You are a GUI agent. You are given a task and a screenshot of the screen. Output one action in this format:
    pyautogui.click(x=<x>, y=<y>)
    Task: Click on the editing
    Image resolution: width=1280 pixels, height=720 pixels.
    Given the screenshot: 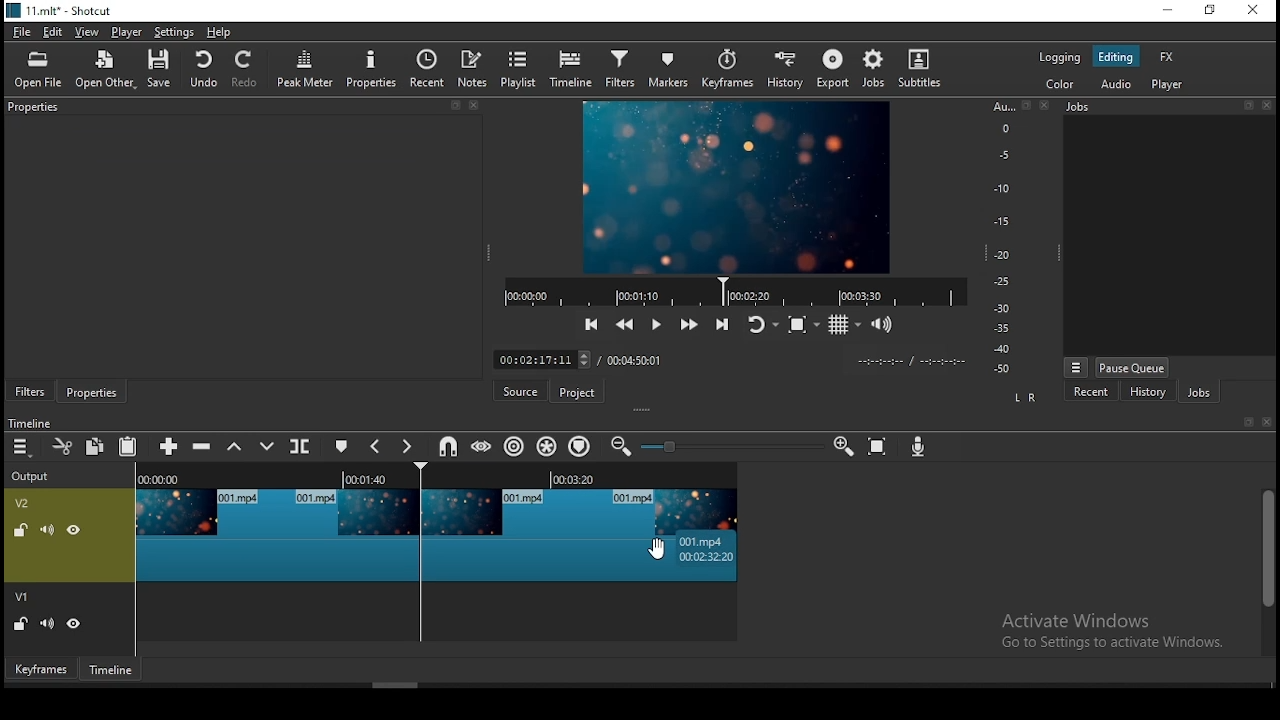 What is the action you would take?
    pyautogui.click(x=1115, y=57)
    